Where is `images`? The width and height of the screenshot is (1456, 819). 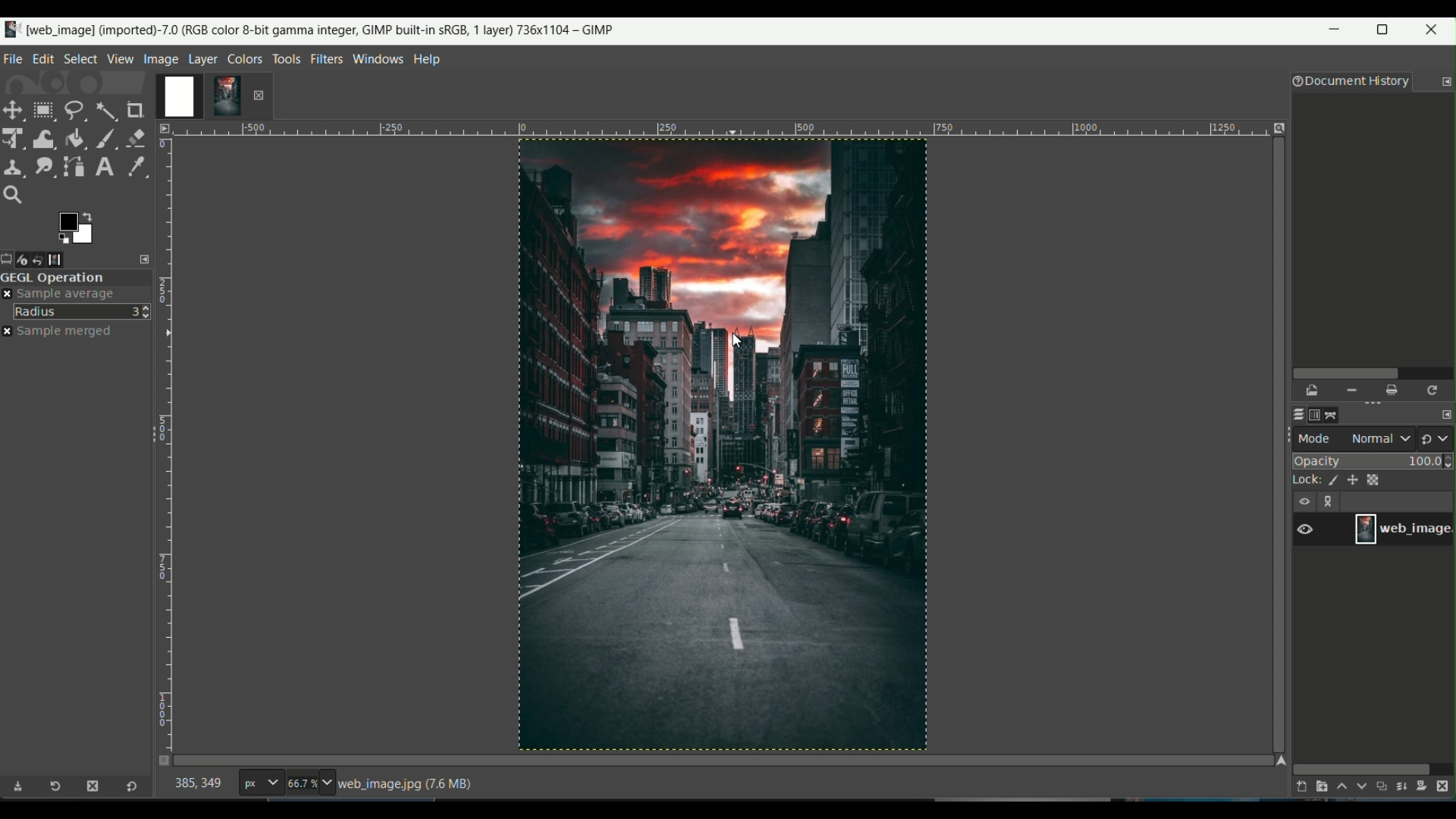 images is located at coordinates (66, 259).